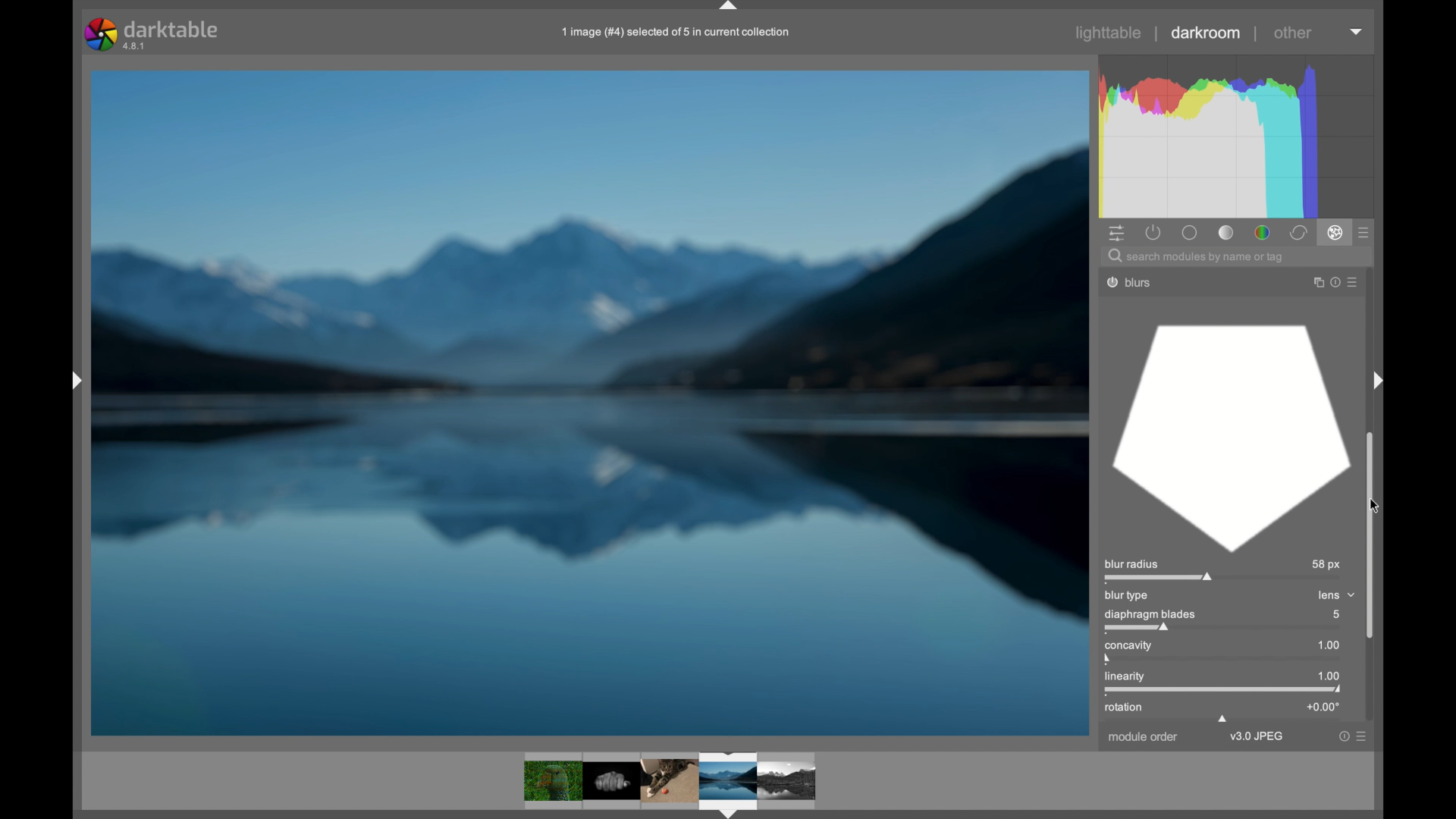  I want to click on dropdown menu, so click(1357, 33).